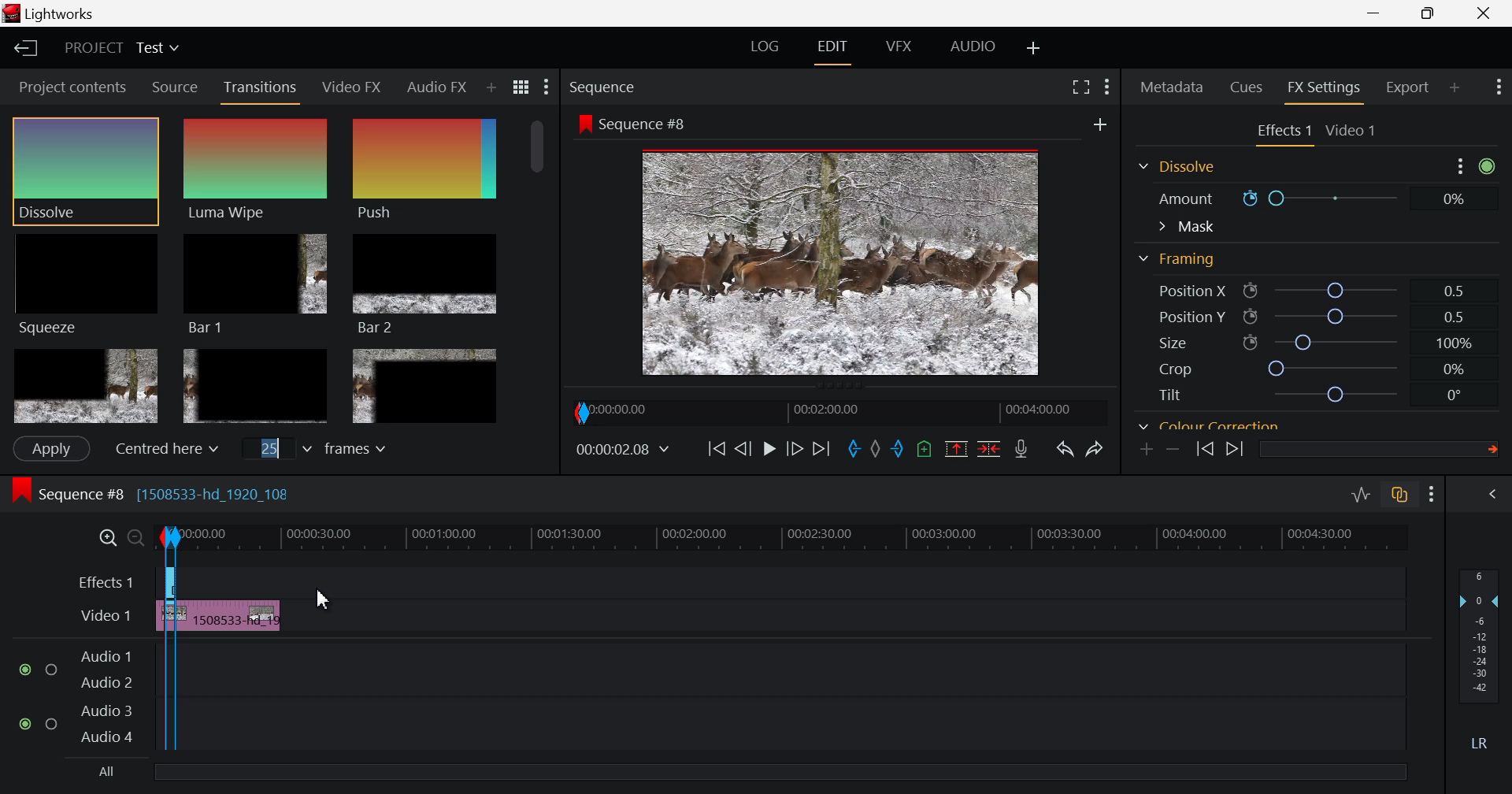 The image size is (1512, 794). I want to click on Toggle auto track sync, so click(1400, 495).